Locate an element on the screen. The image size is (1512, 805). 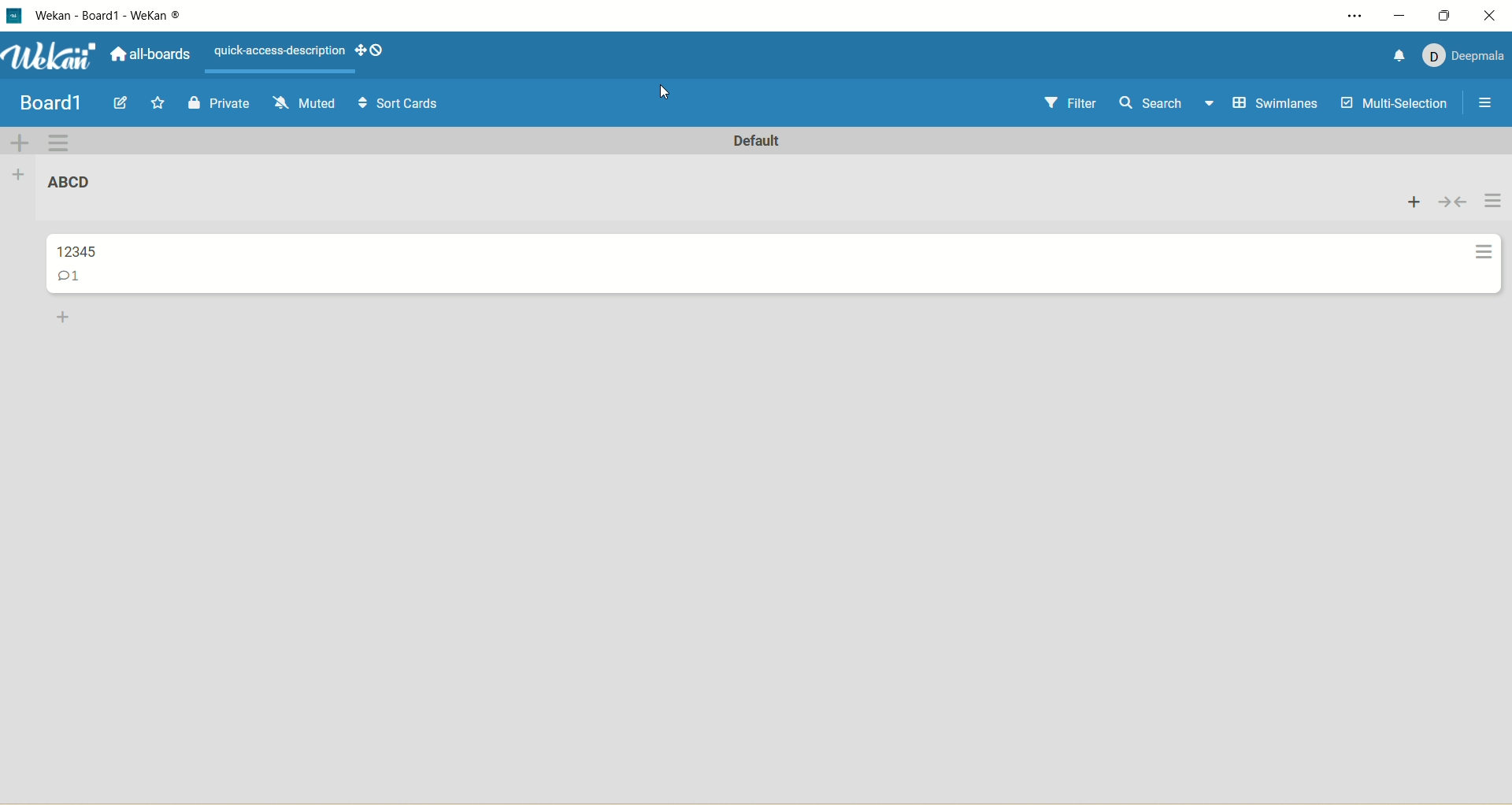
edit is located at coordinates (120, 103).